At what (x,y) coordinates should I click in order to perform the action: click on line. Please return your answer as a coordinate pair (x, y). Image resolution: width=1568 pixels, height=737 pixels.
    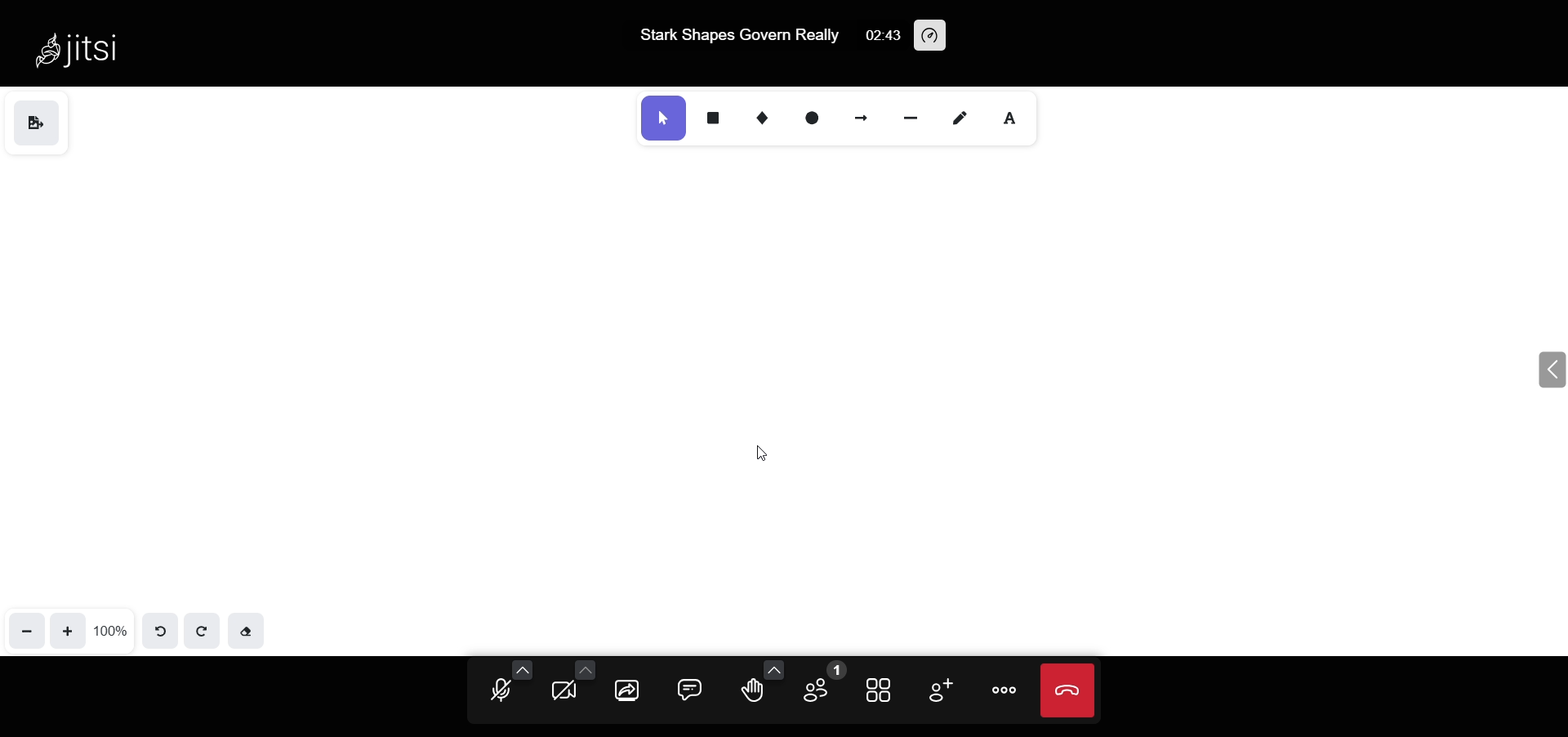
    Looking at the image, I should click on (913, 118).